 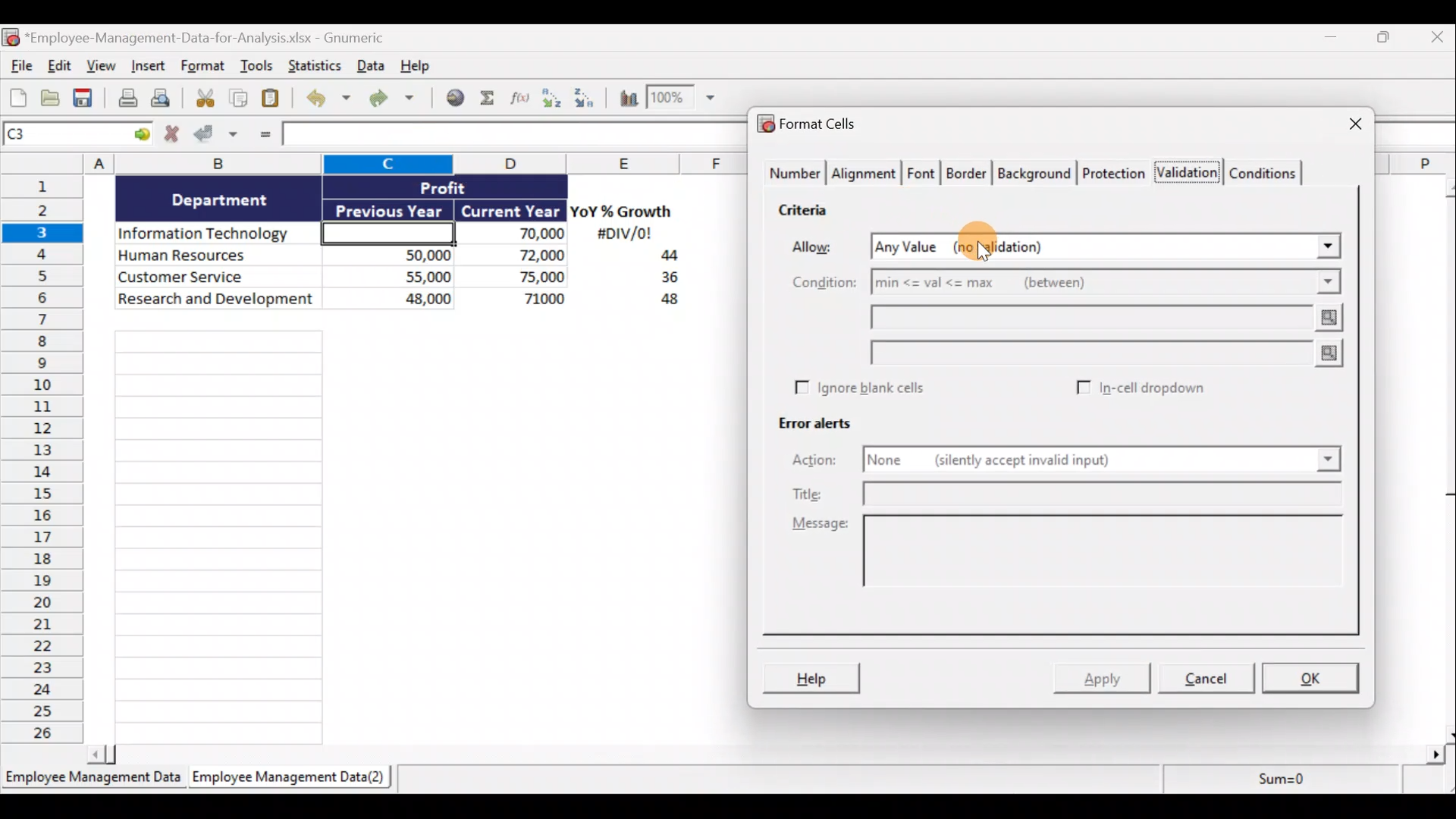 I want to click on Actions drop down, so click(x=1324, y=462).